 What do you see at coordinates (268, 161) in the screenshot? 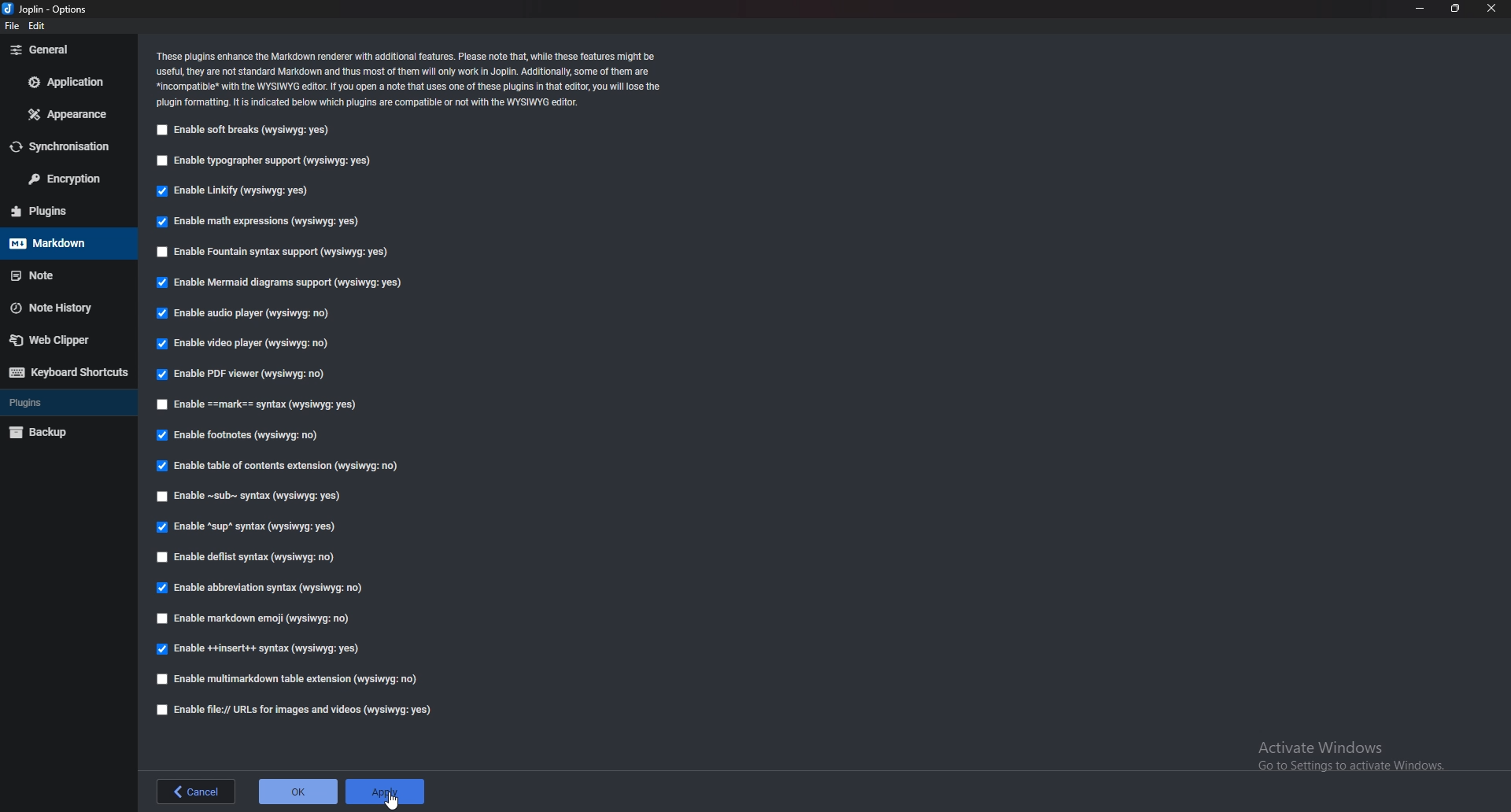
I see `Enable typographer support` at bounding box center [268, 161].